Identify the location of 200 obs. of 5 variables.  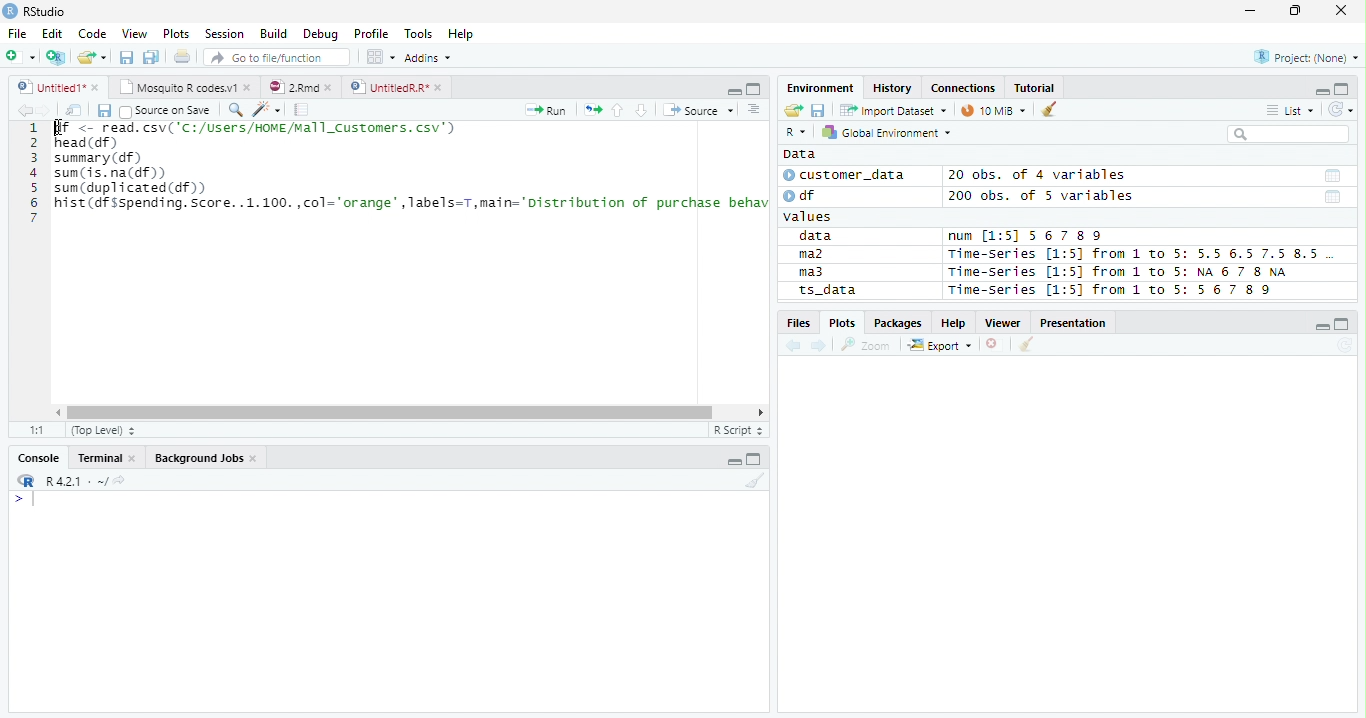
(1038, 198).